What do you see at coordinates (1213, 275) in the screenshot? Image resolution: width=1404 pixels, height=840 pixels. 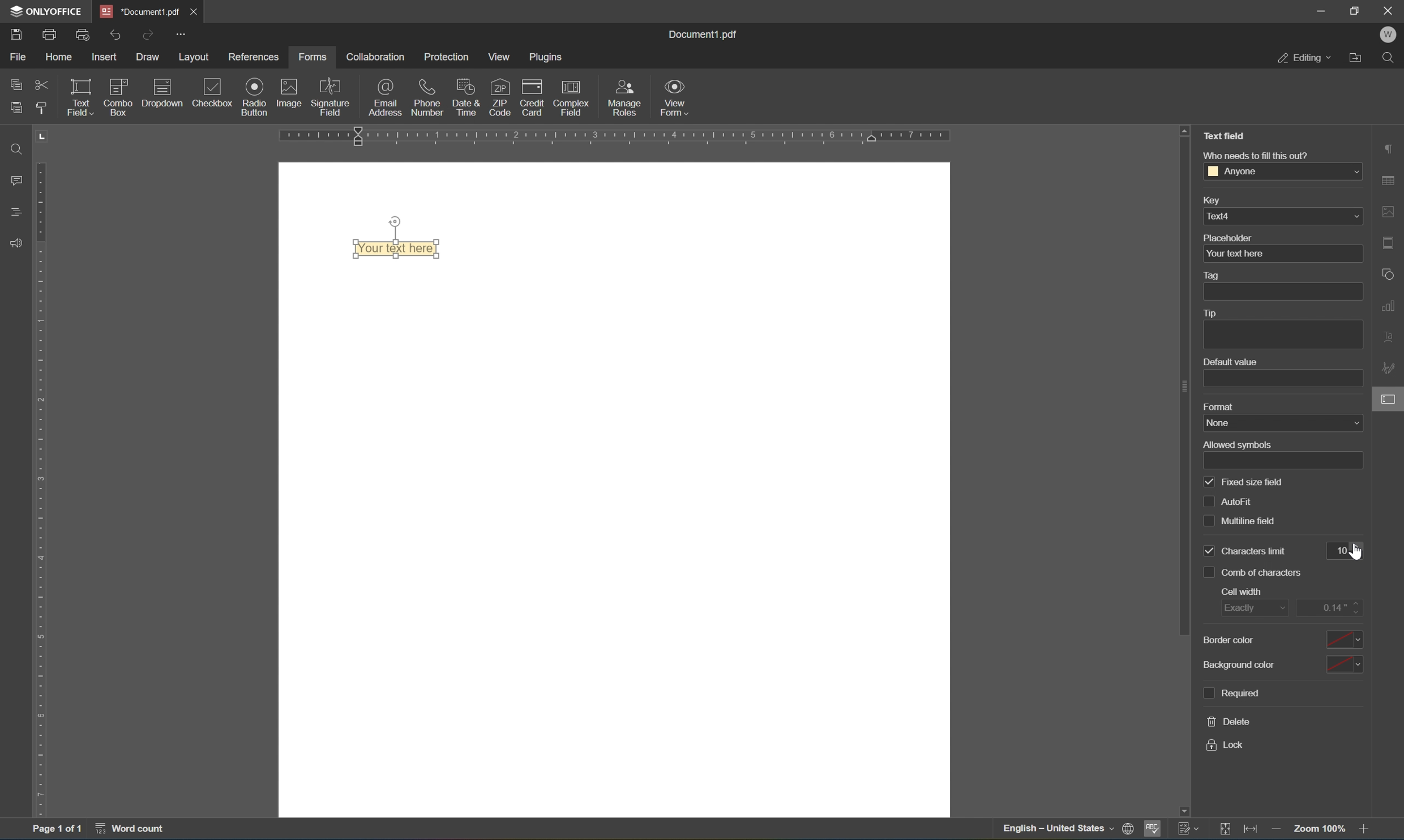 I see `tag` at bounding box center [1213, 275].